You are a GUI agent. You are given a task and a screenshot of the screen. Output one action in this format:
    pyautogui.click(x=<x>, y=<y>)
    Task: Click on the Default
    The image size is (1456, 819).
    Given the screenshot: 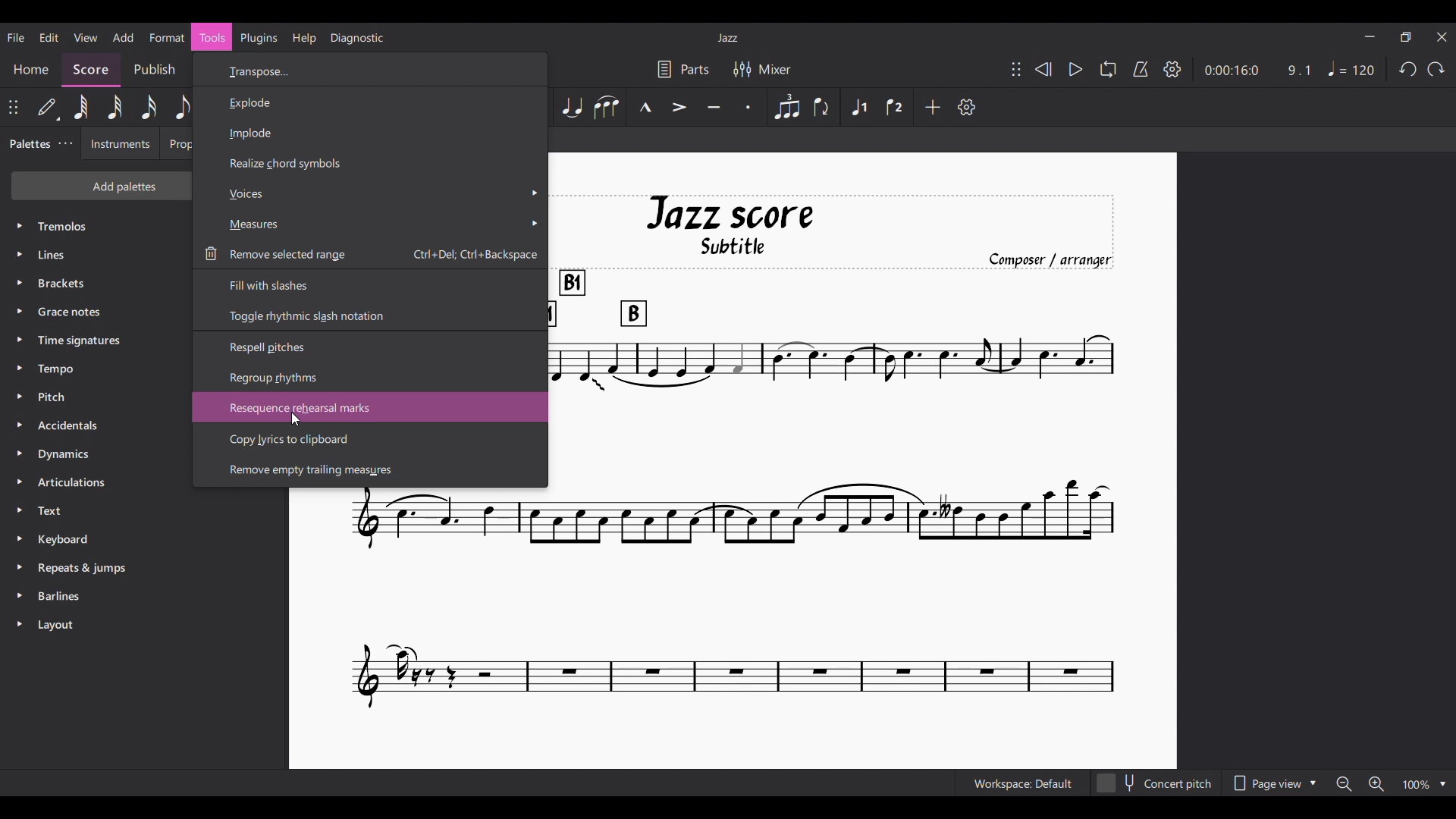 What is the action you would take?
    pyautogui.click(x=48, y=107)
    